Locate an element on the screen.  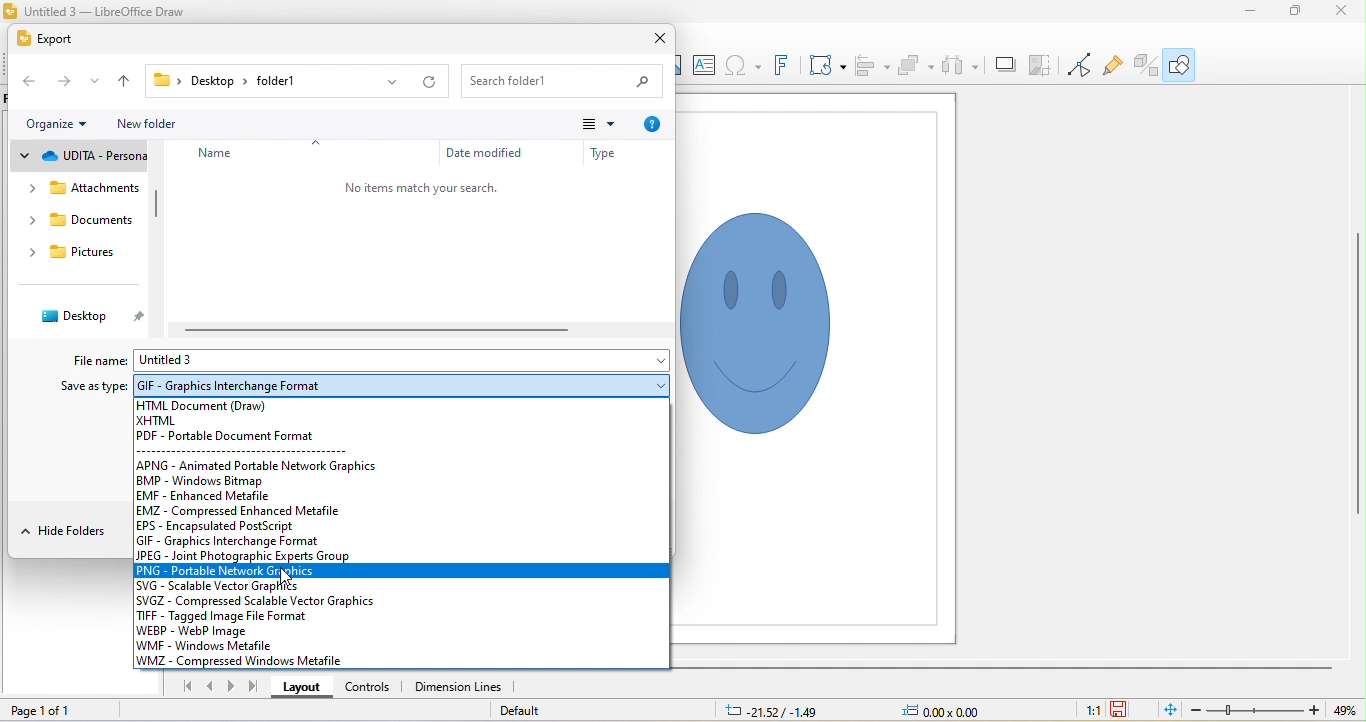
drop down is located at coordinates (94, 81).